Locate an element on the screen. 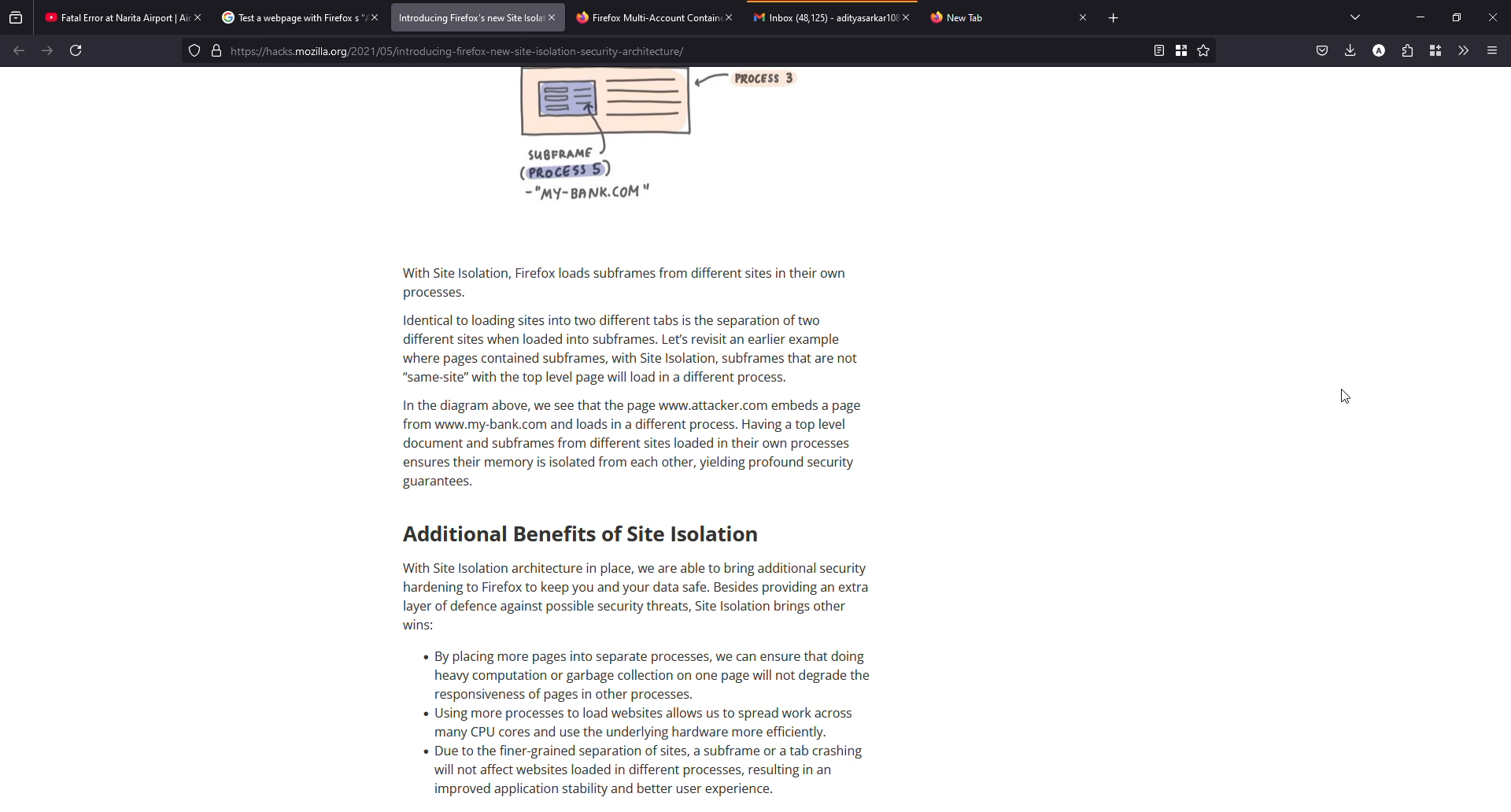 This screenshot has height=812, width=1511. view recent is located at coordinates (16, 17).